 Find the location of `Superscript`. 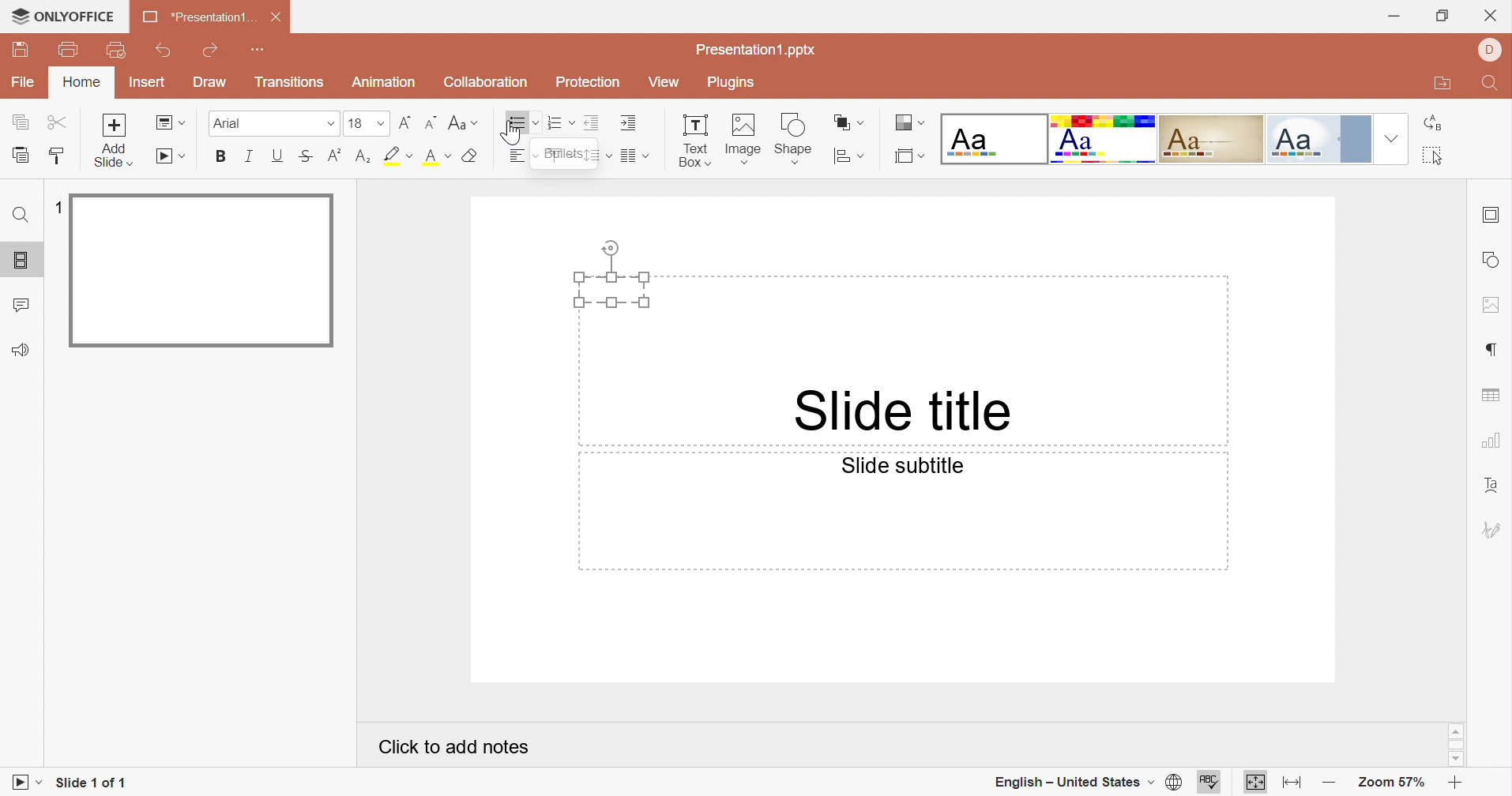

Superscript is located at coordinates (305, 158).